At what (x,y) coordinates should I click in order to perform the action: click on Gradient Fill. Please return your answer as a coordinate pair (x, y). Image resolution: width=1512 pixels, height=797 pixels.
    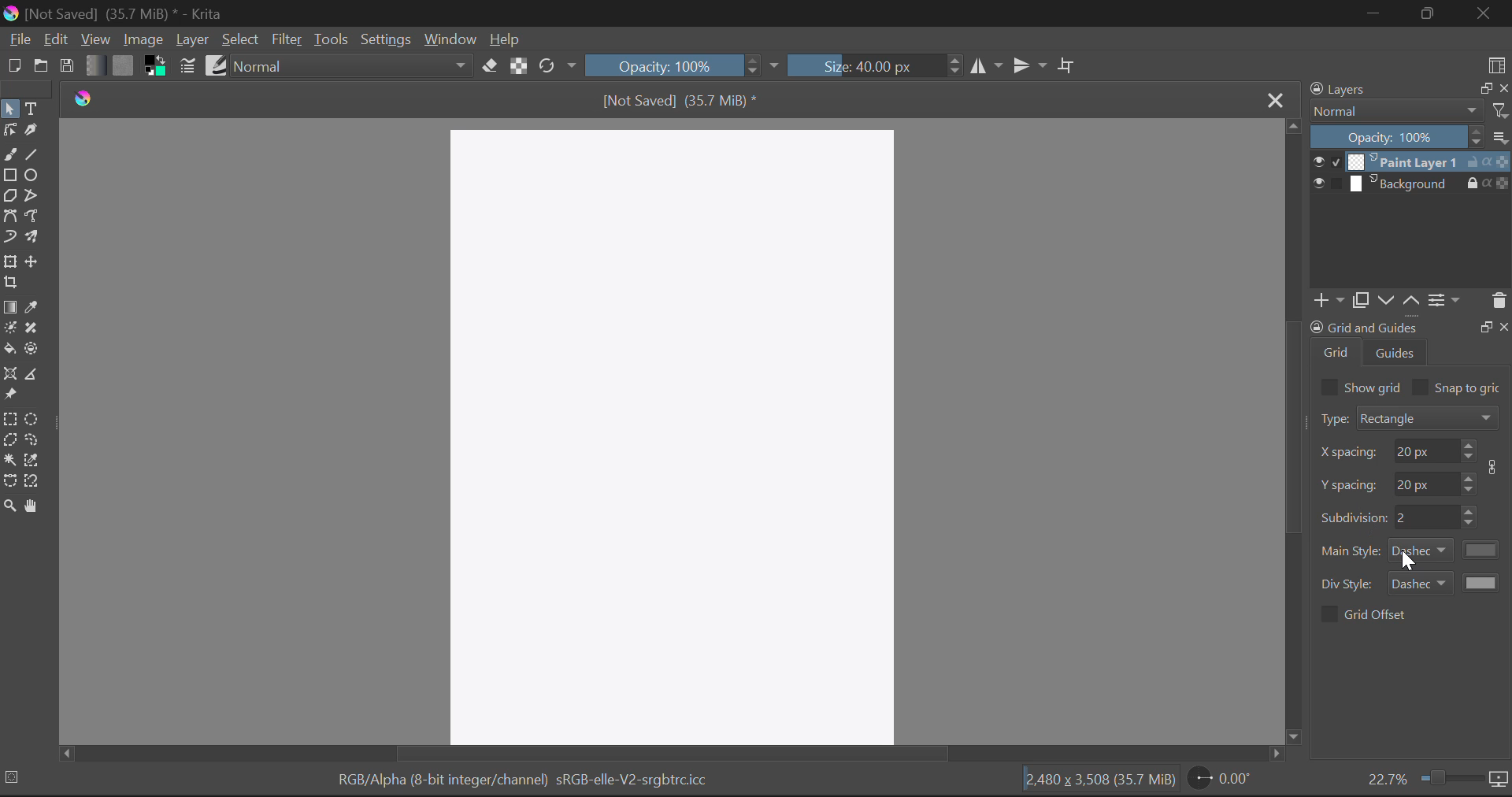
    Looking at the image, I should click on (9, 308).